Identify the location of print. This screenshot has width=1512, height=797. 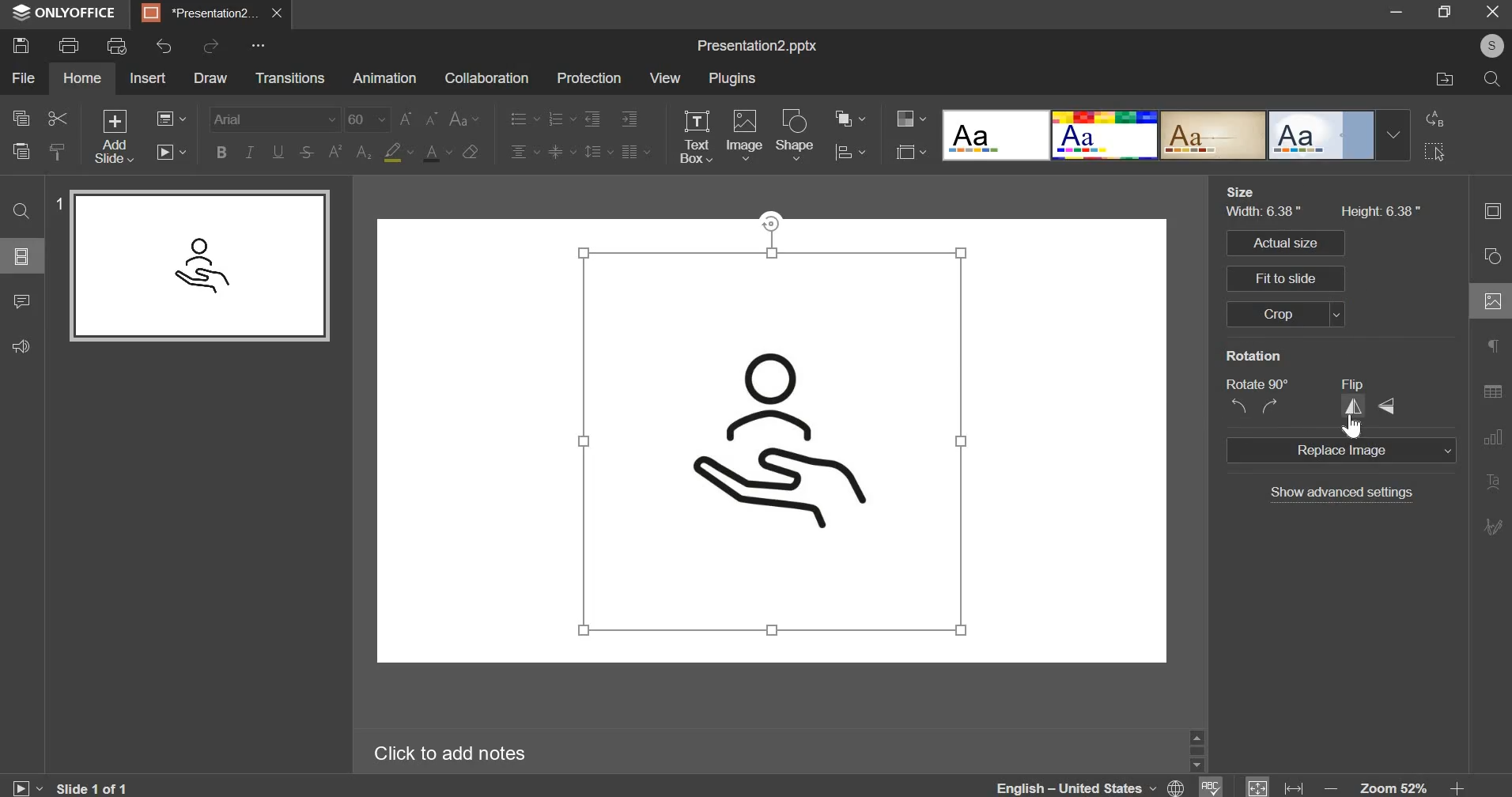
(68, 46).